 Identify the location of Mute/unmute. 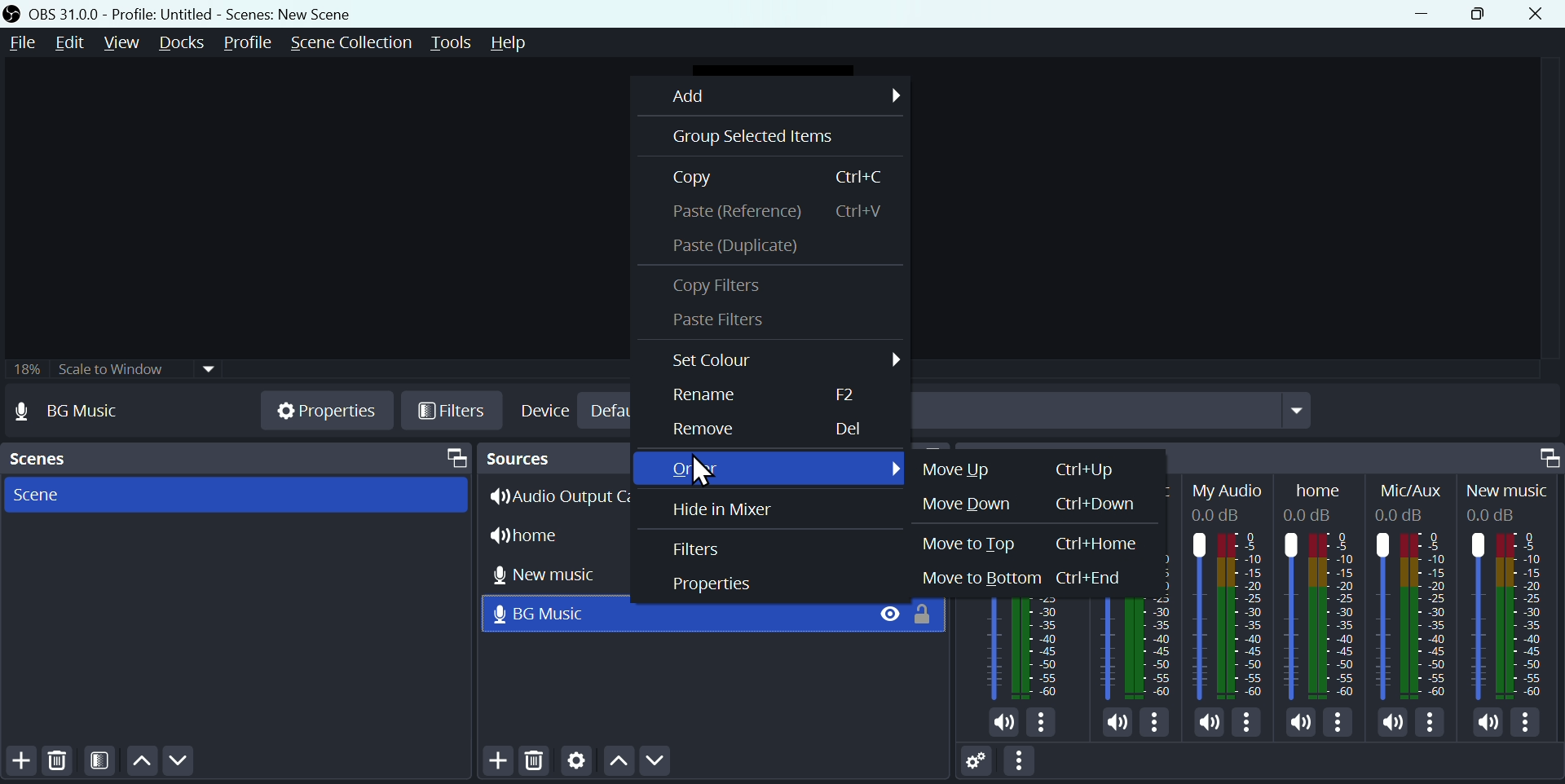
(1391, 722).